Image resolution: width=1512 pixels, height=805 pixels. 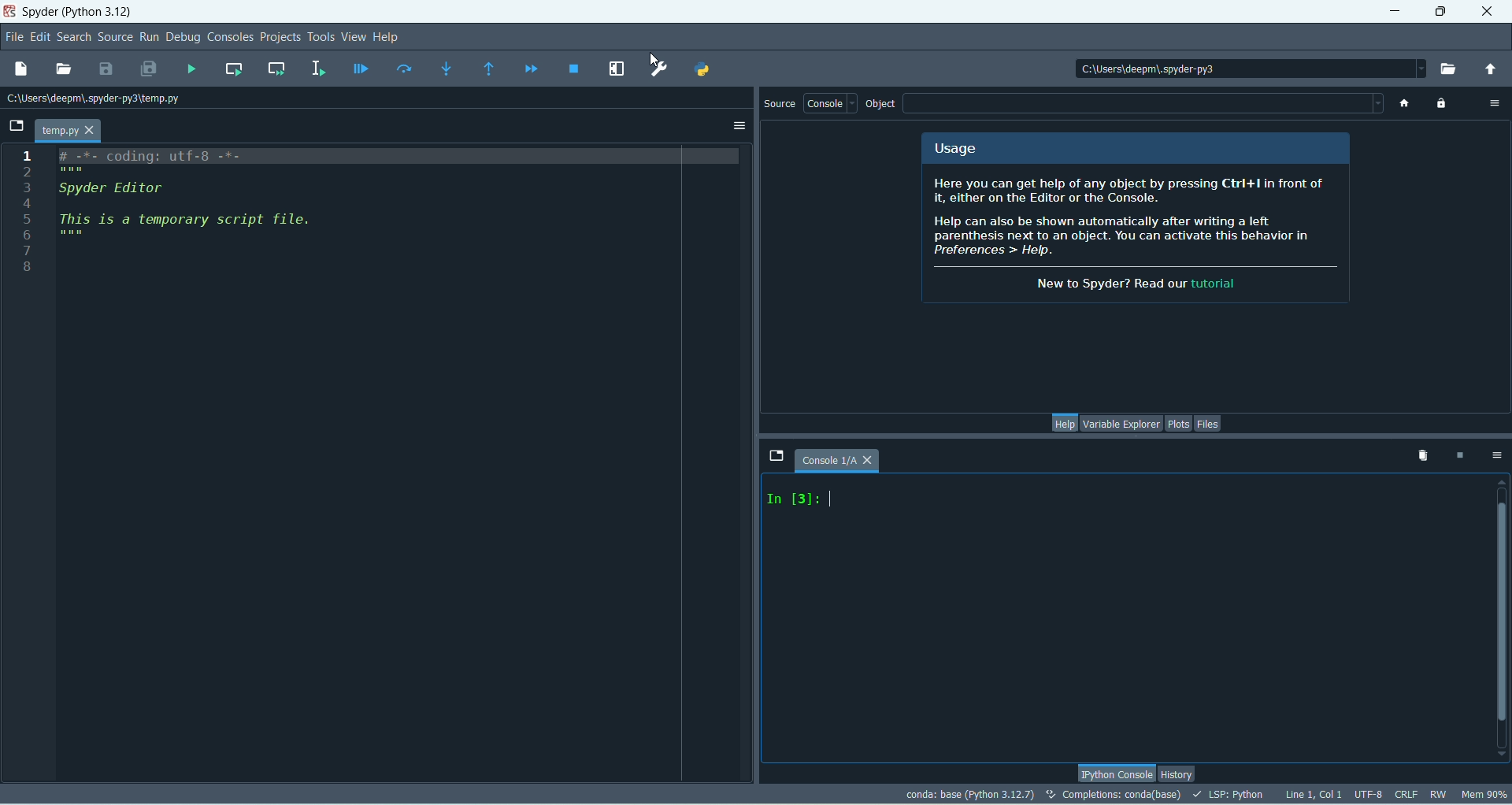 I want to click on options, so click(x=739, y=126).